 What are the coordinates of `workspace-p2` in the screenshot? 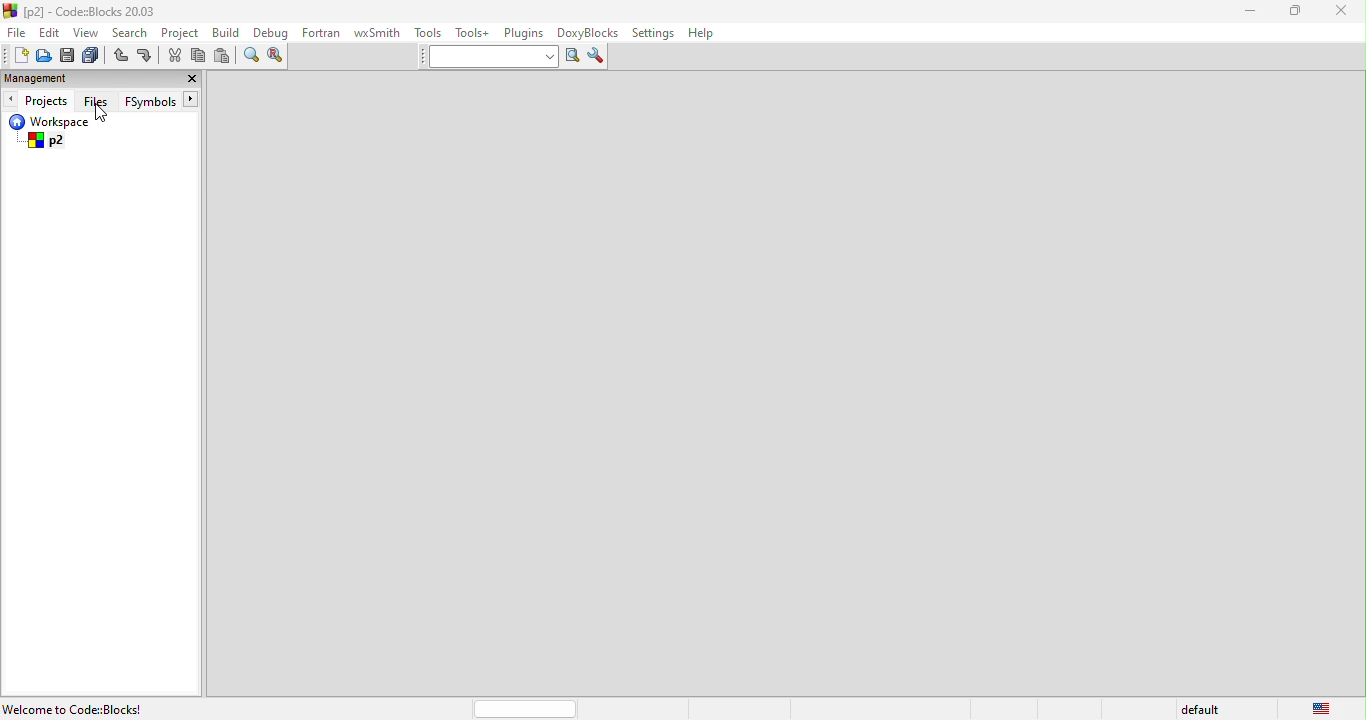 It's located at (66, 133).